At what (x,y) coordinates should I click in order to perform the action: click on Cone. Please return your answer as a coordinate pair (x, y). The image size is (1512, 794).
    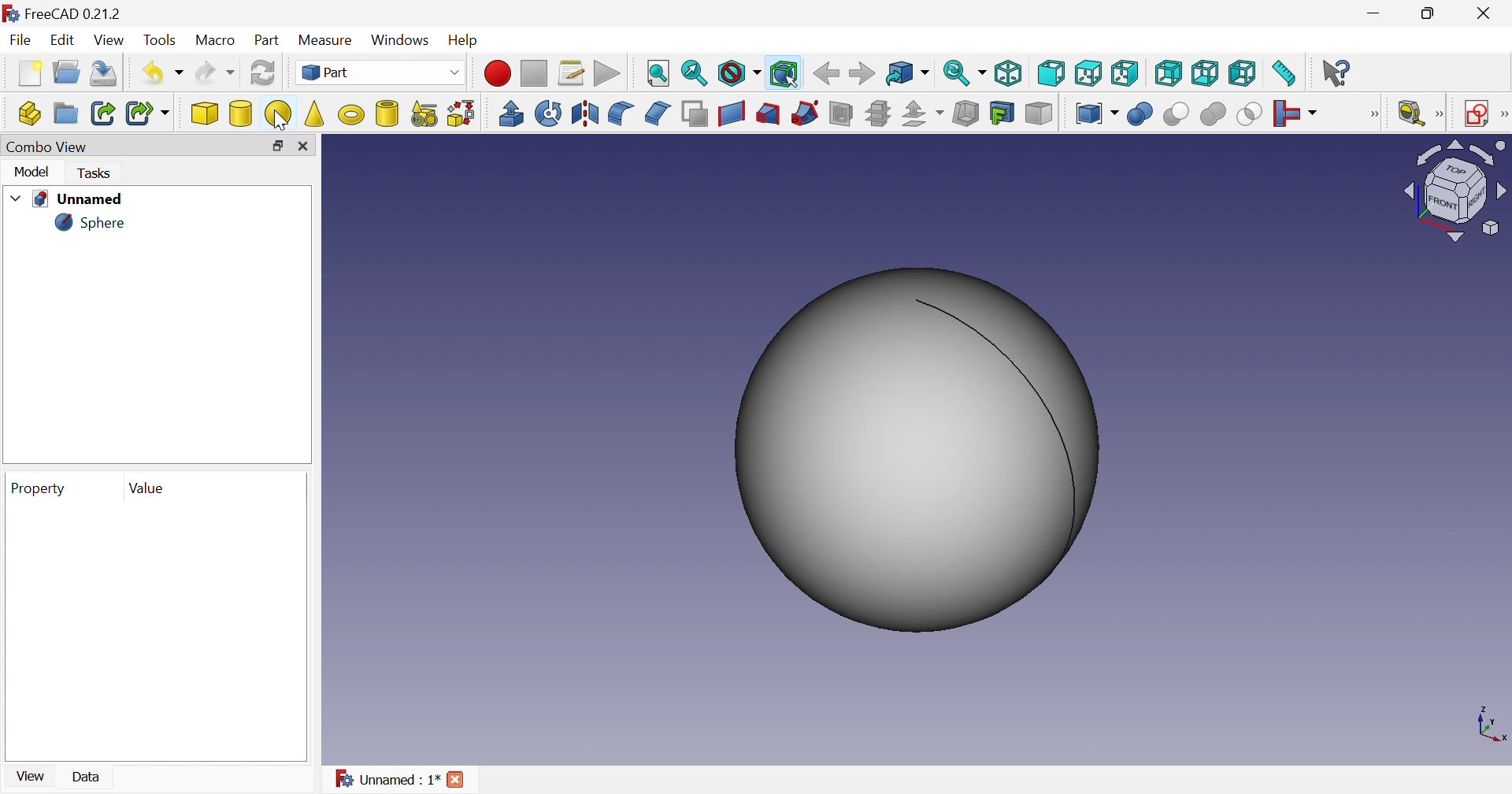
    Looking at the image, I should click on (314, 114).